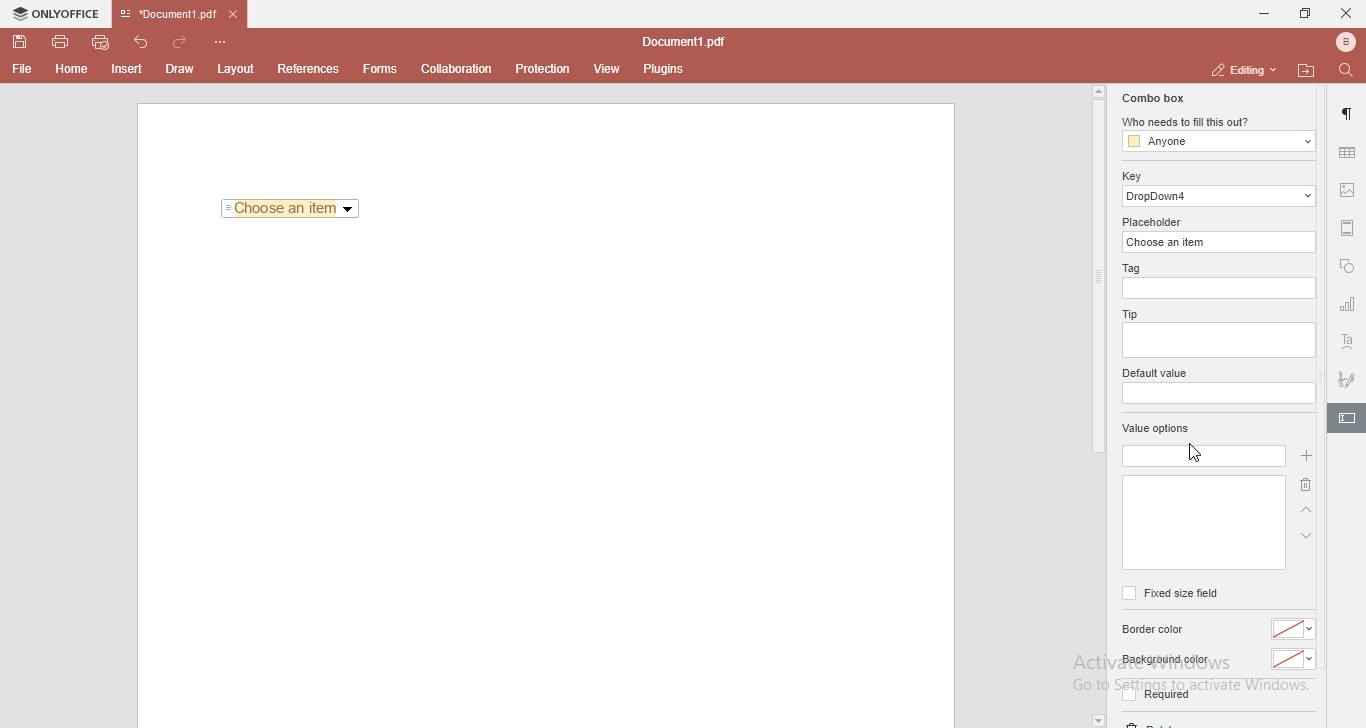 This screenshot has width=1366, height=728. What do you see at coordinates (1347, 268) in the screenshot?
I see `shapes` at bounding box center [1347, 268].